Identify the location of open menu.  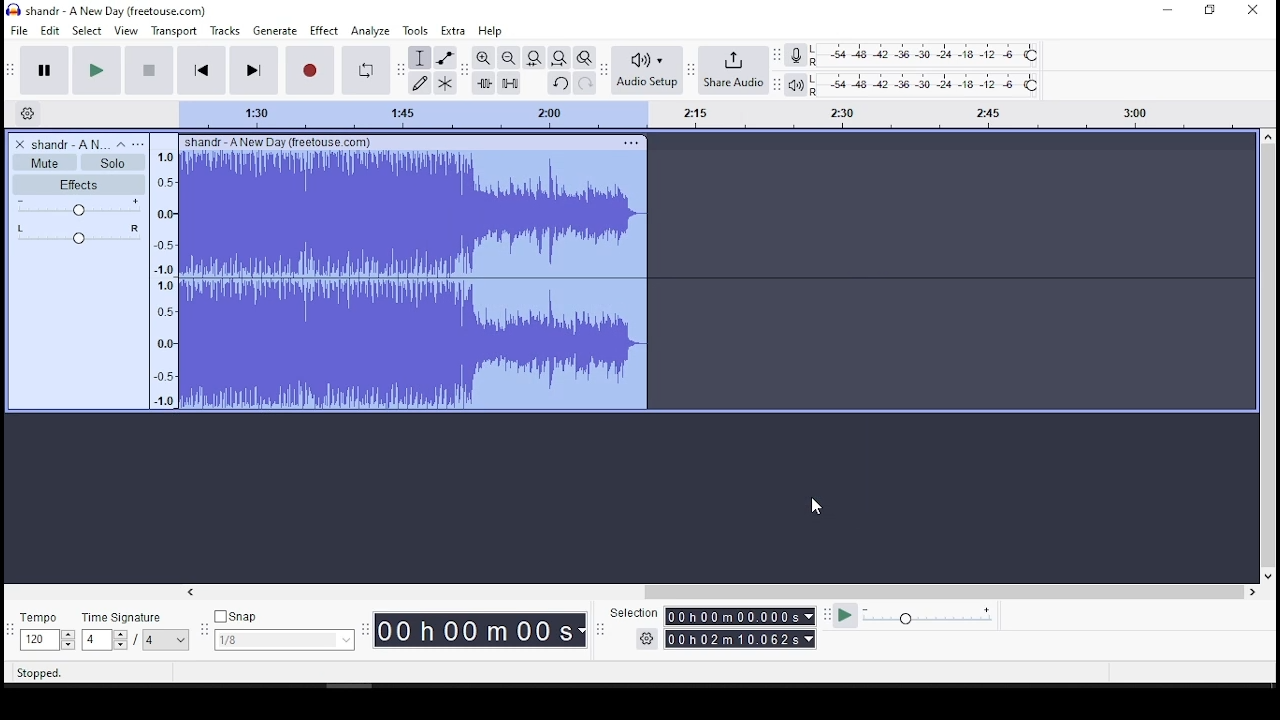
(140, 143).